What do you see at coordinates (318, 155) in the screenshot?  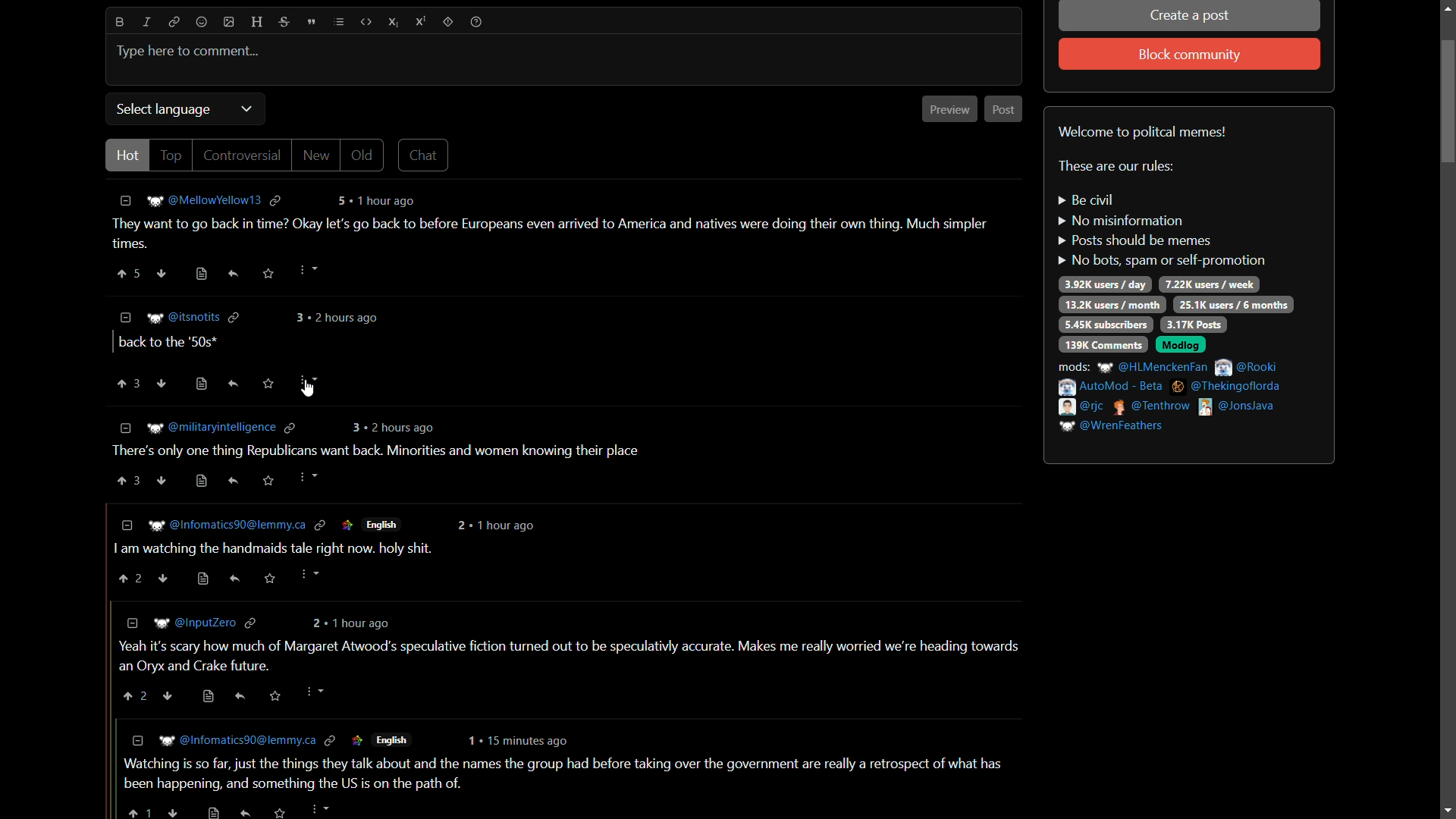 I see `new` at bounding box center [318, 155].